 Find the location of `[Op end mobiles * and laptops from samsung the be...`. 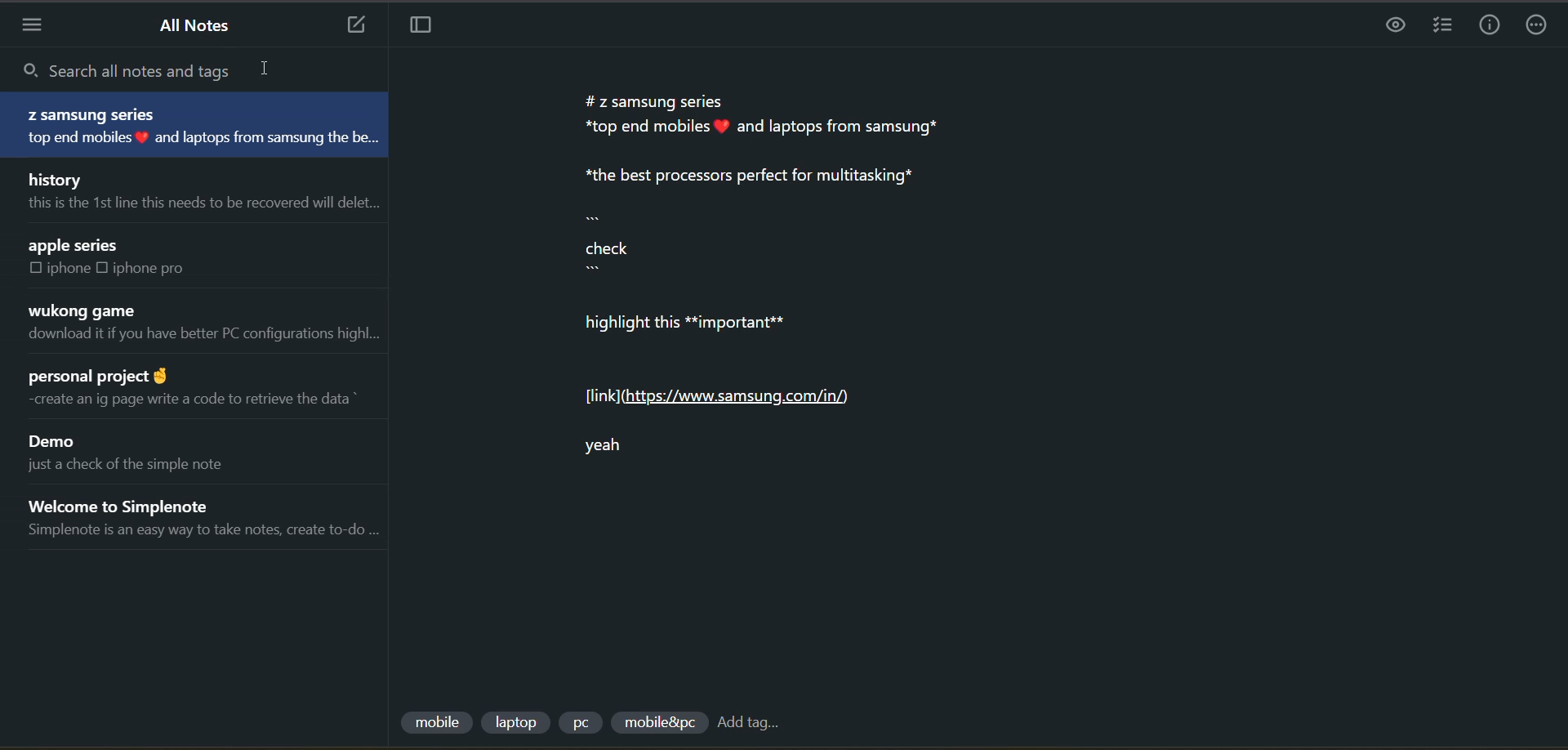

[Op end mobiles * and laptops from samsung the be... is located at coordinates (209, 136).